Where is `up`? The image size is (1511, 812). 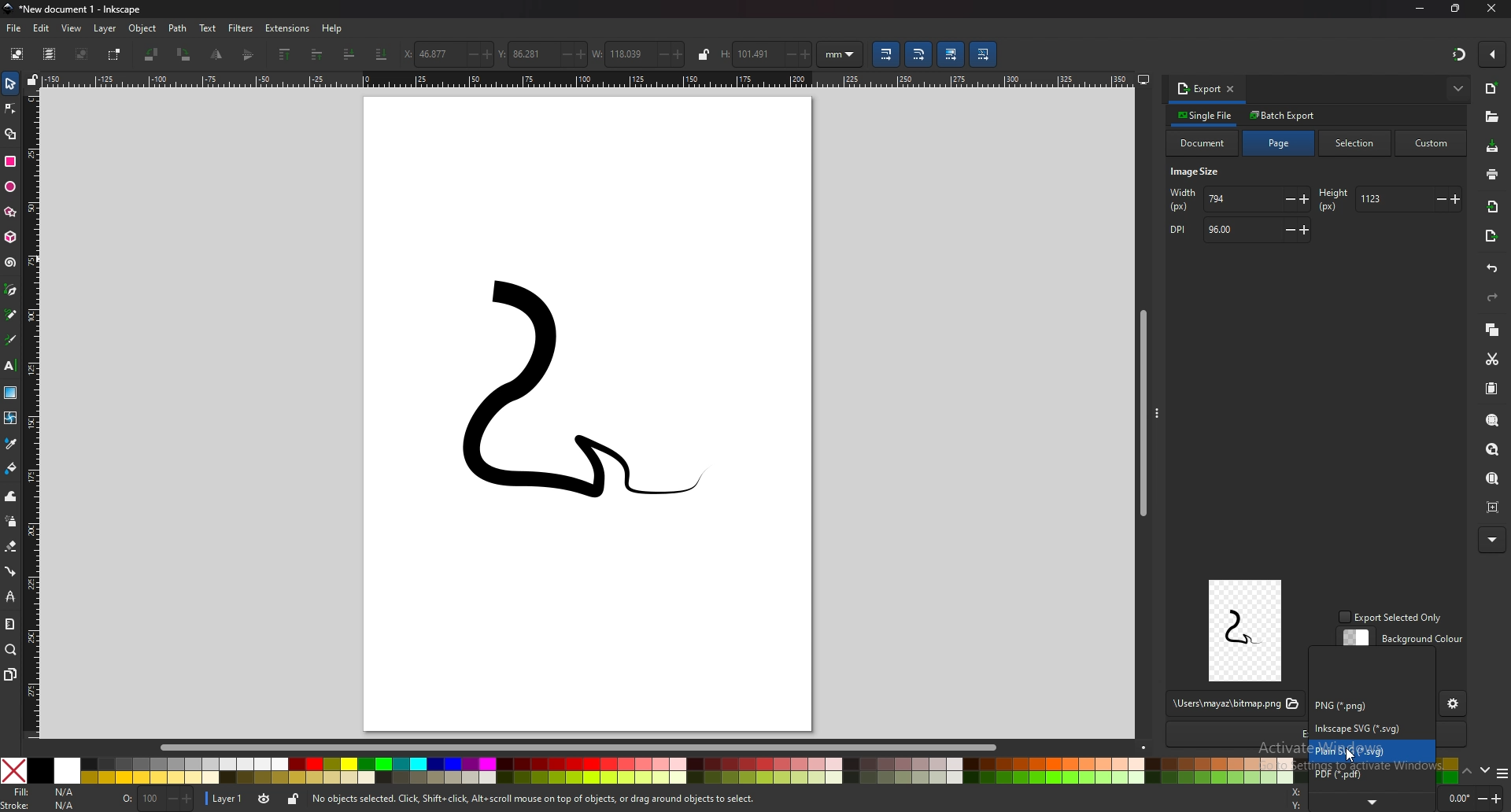
up is located at coordinates (1467, 771).